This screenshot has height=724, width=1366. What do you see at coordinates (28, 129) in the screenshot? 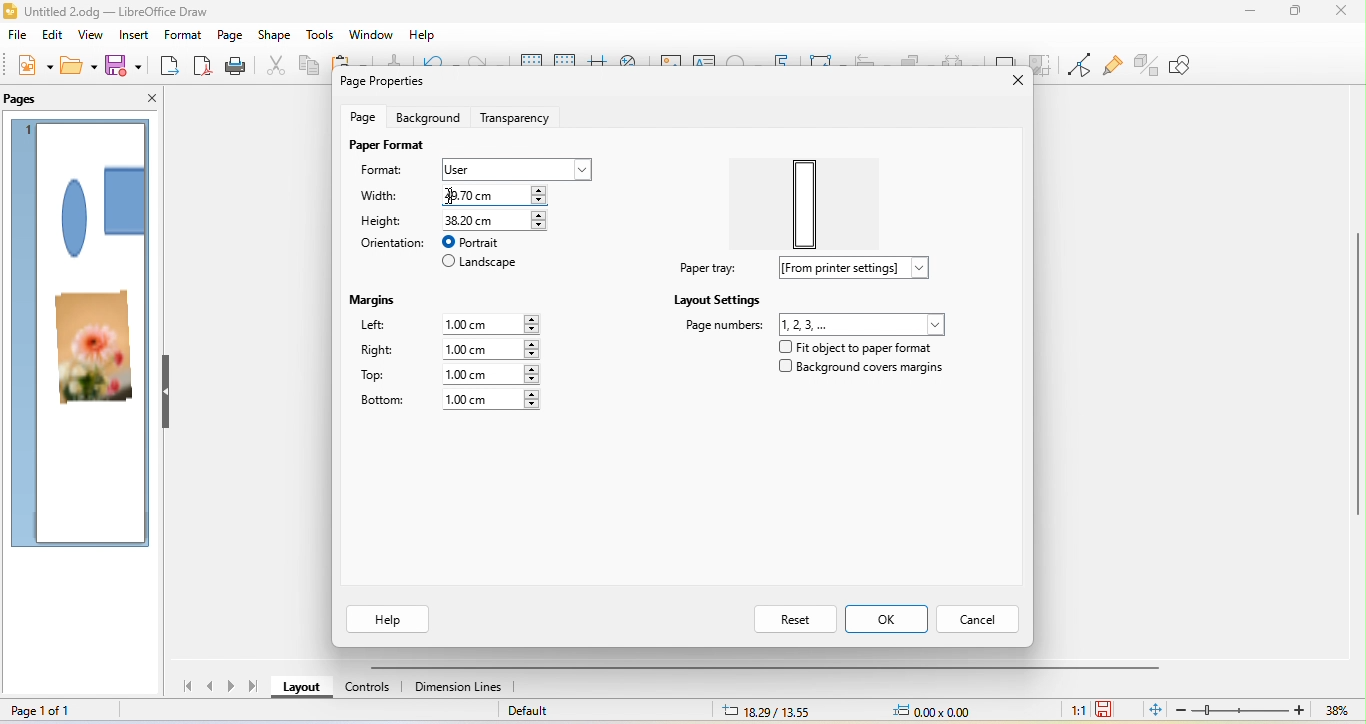
I see `page 1` at bounding box center [28, 129].